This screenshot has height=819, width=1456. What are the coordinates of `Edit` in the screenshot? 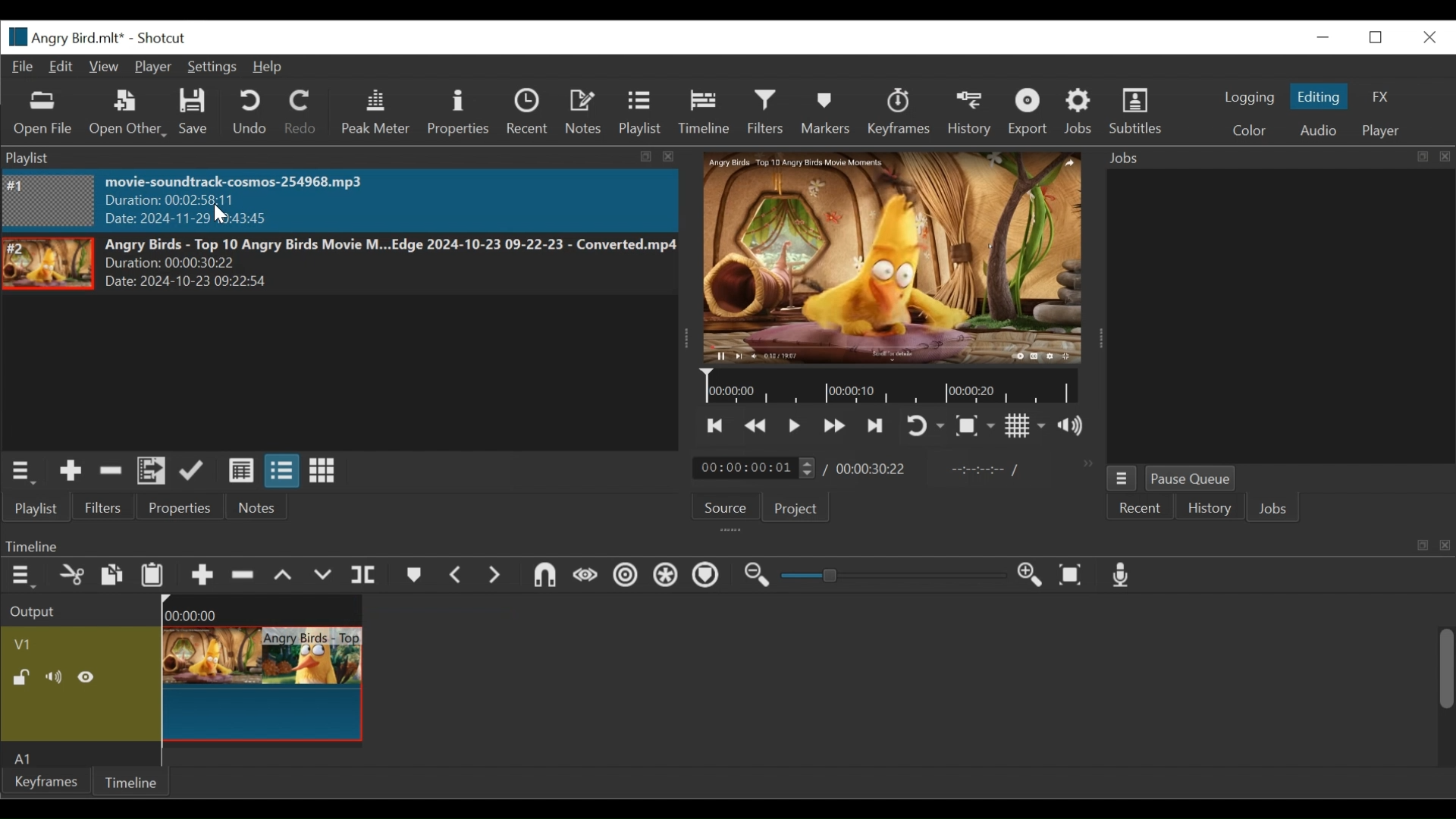 It's located at (61, 66).